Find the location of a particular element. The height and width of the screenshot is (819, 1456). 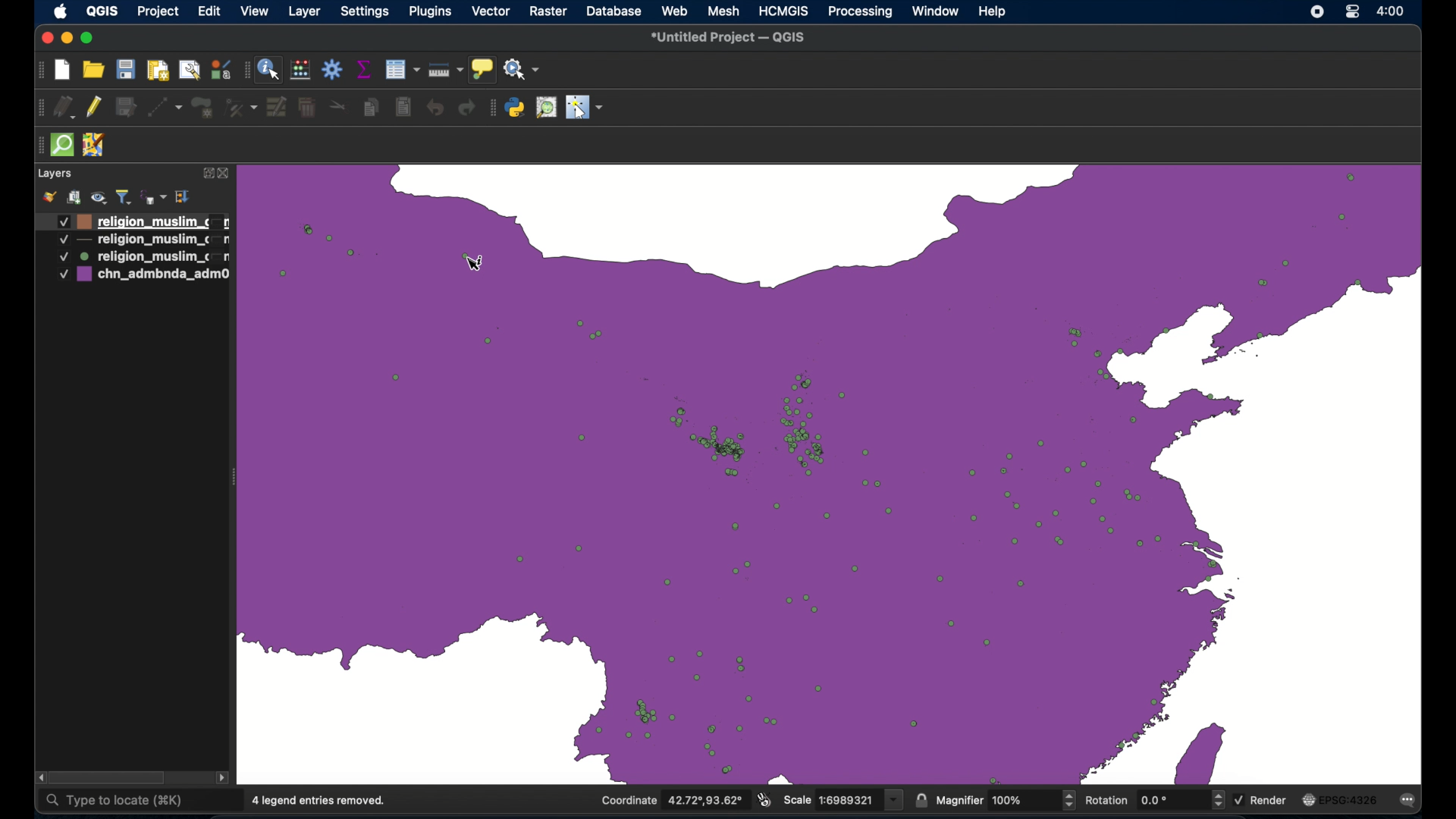

processing is located at coordinates (858, 12).